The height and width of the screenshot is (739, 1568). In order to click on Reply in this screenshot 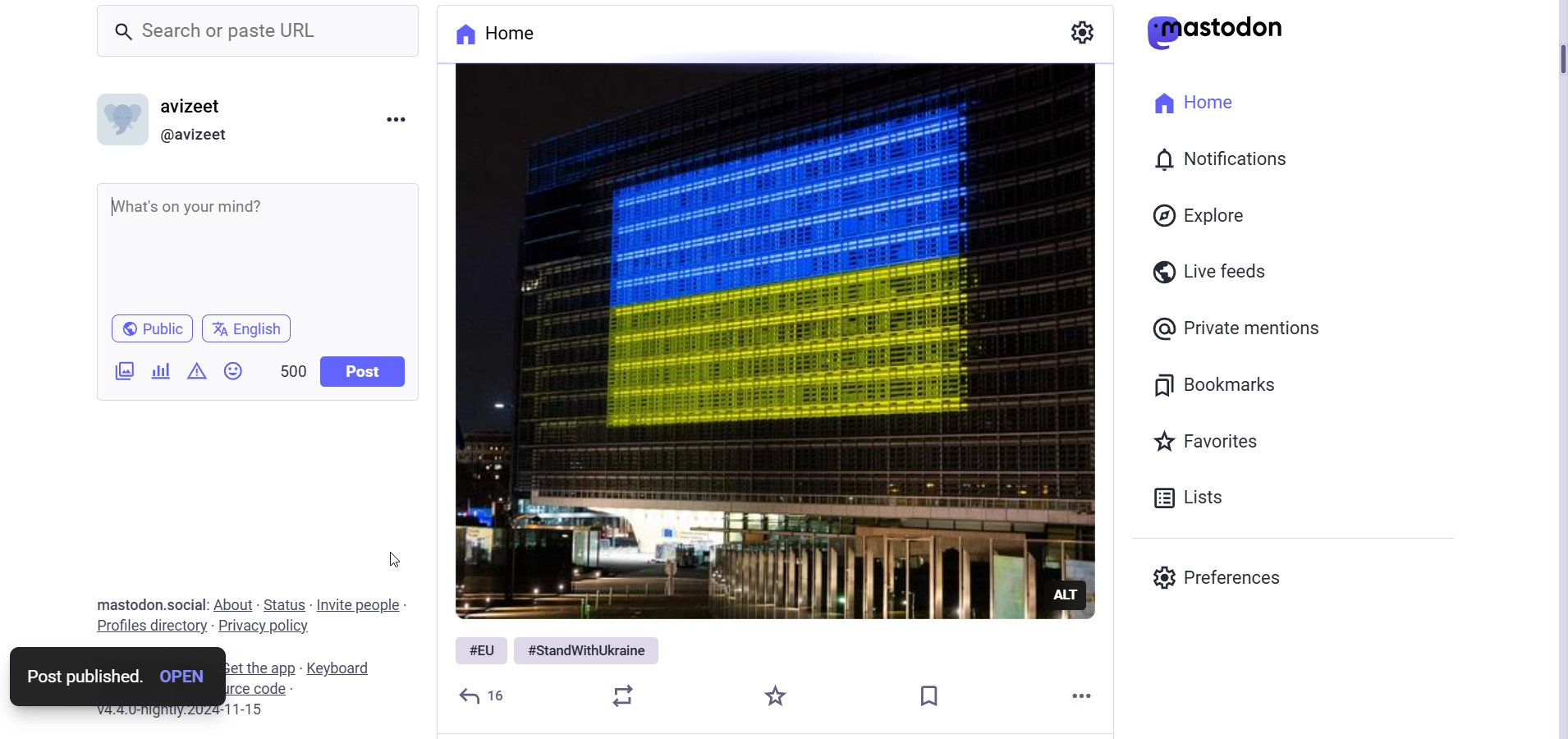, I will do `click(485, 695)`.